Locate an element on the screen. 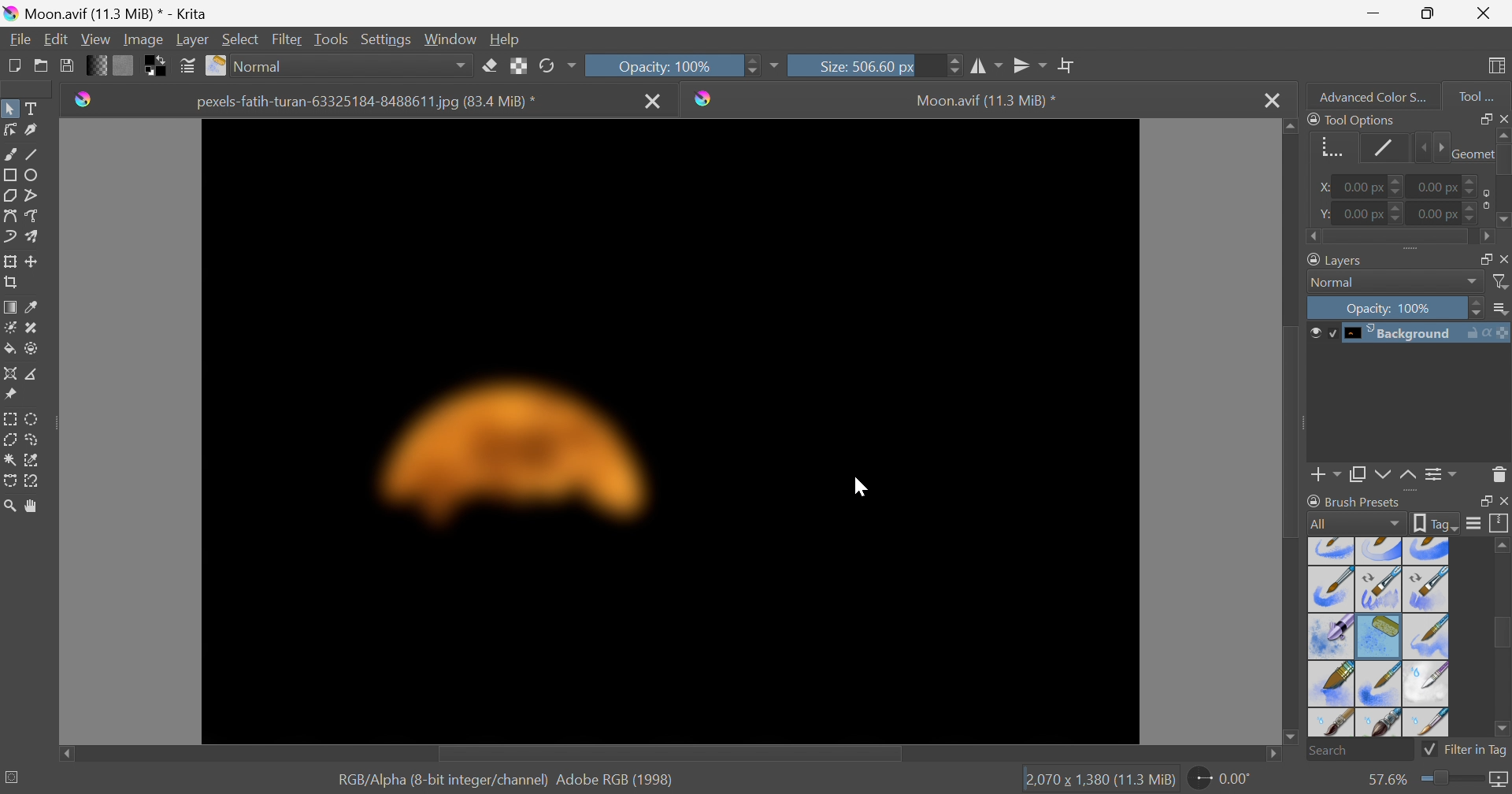 The width and height of the screenshot is (1512, 794). No selection is located at coordinates (13, 777).